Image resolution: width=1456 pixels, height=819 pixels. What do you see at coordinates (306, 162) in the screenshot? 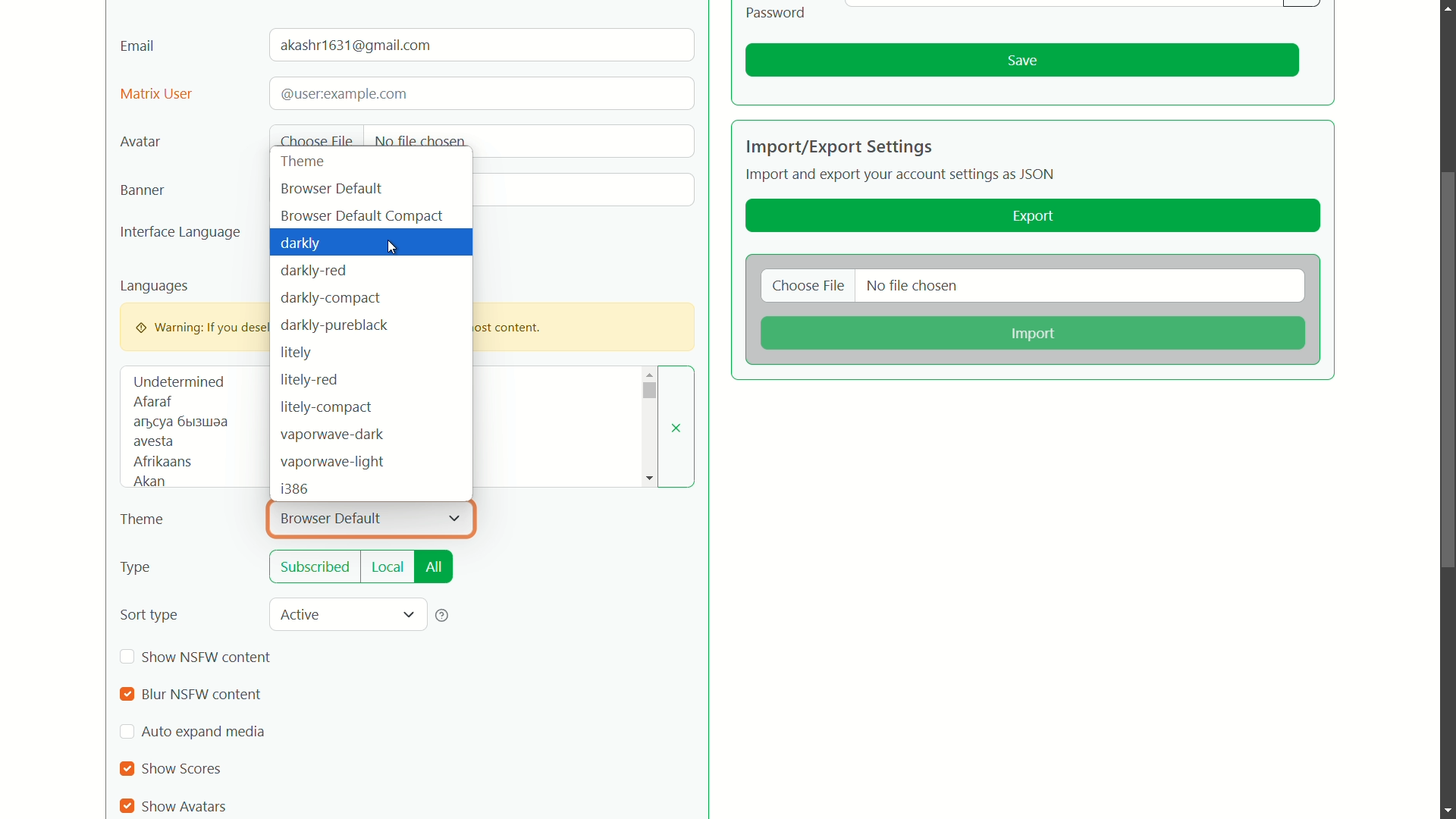
I see `theme` at bounding box center [306, 162].